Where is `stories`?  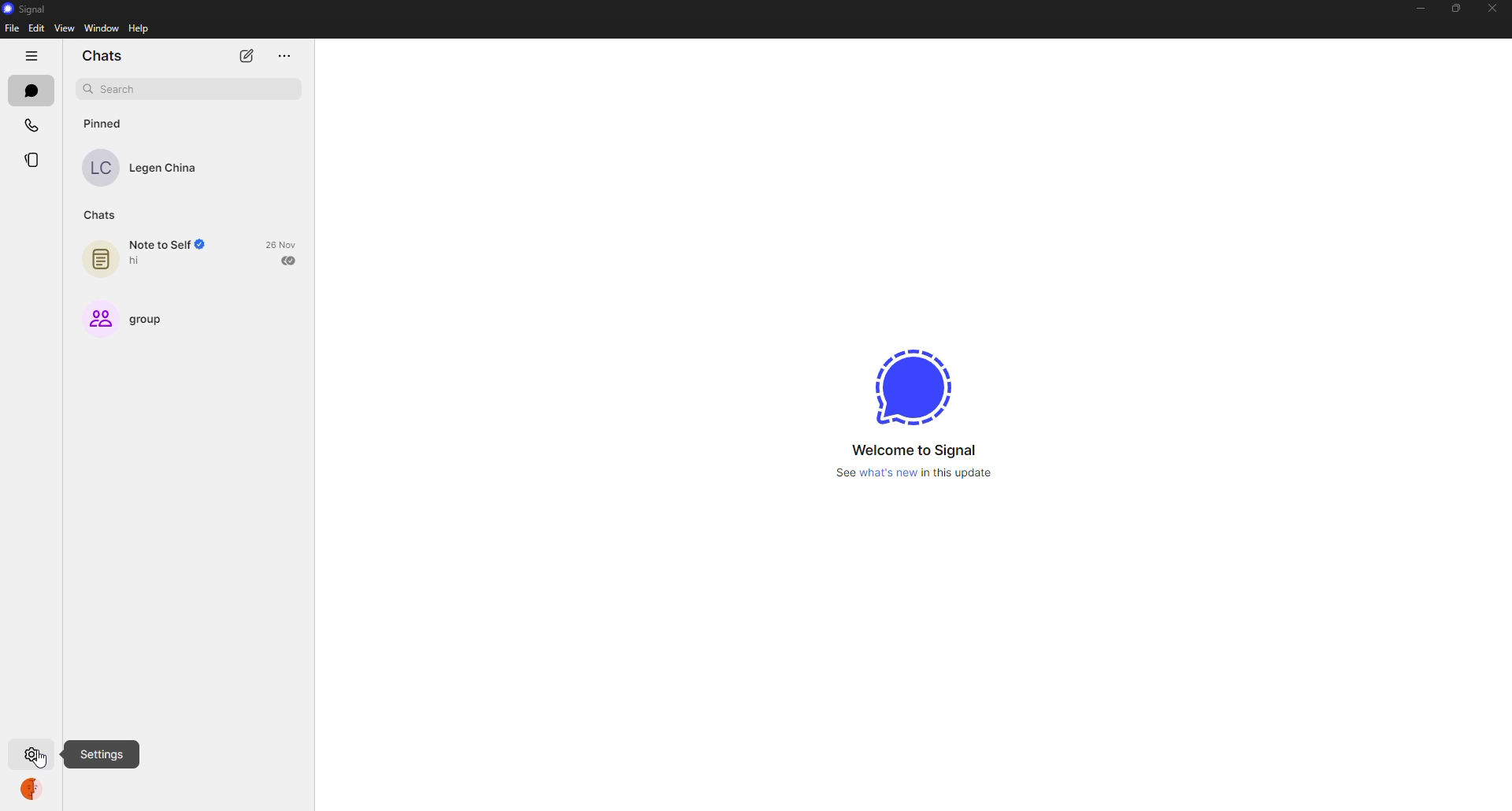
stories is located at coordinates (34, 158).